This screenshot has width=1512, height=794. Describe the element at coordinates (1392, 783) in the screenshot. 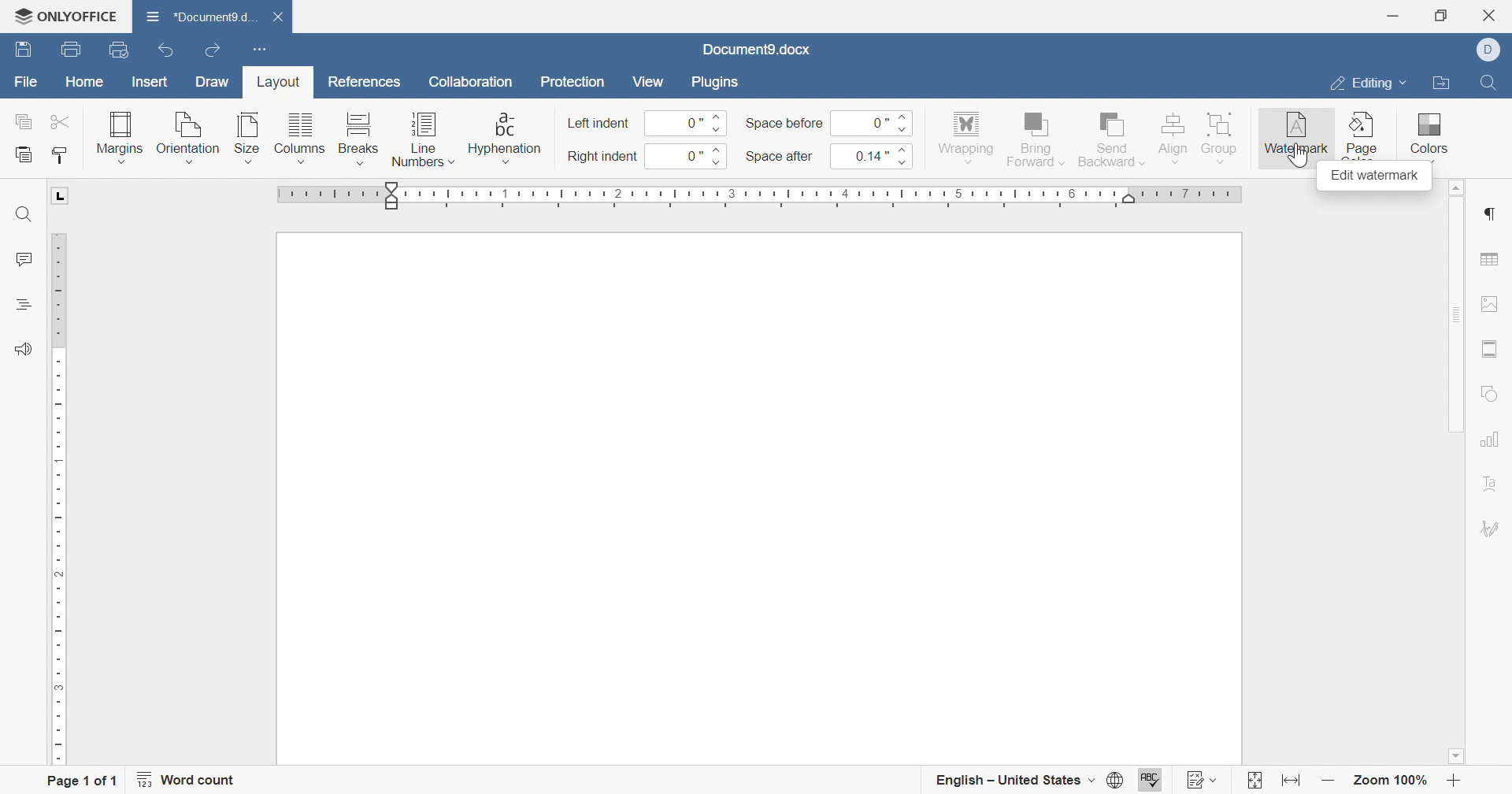

I see `zoom 100%` at that location.